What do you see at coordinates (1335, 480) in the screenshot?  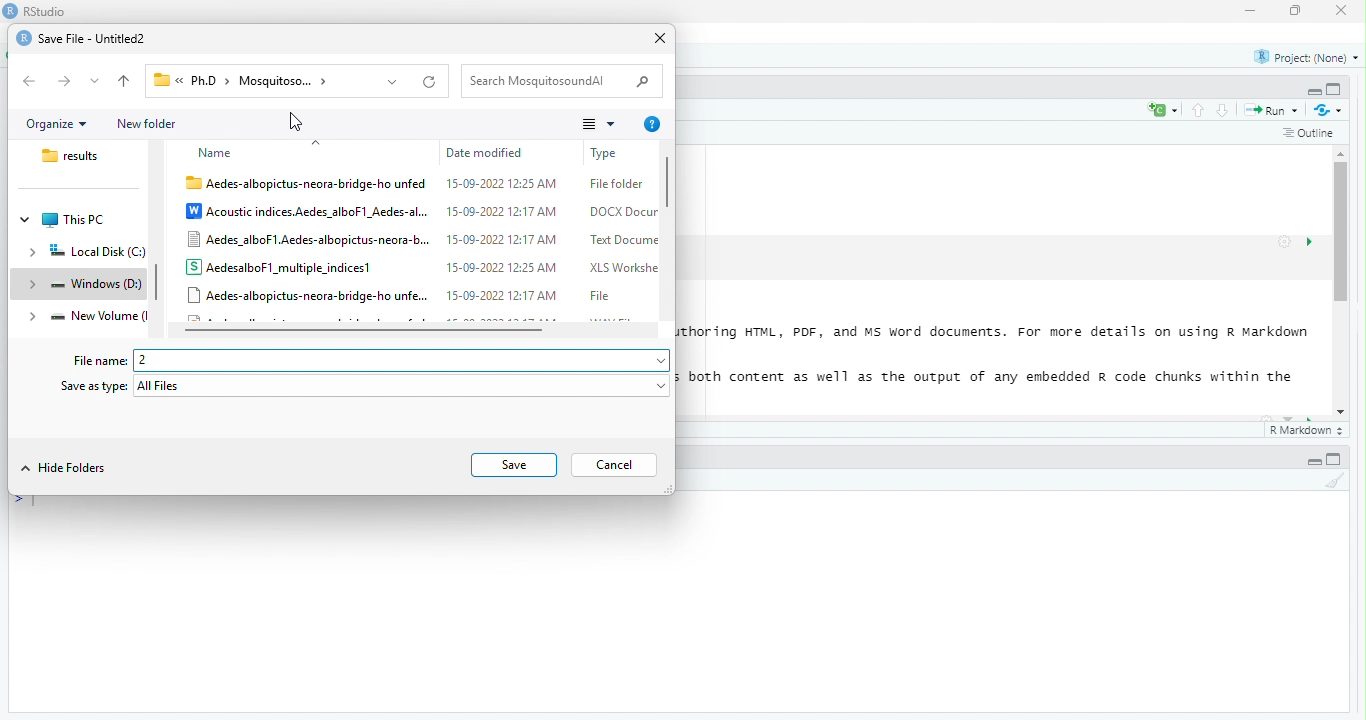 I see `clean` at bounding box center [1335, 480].